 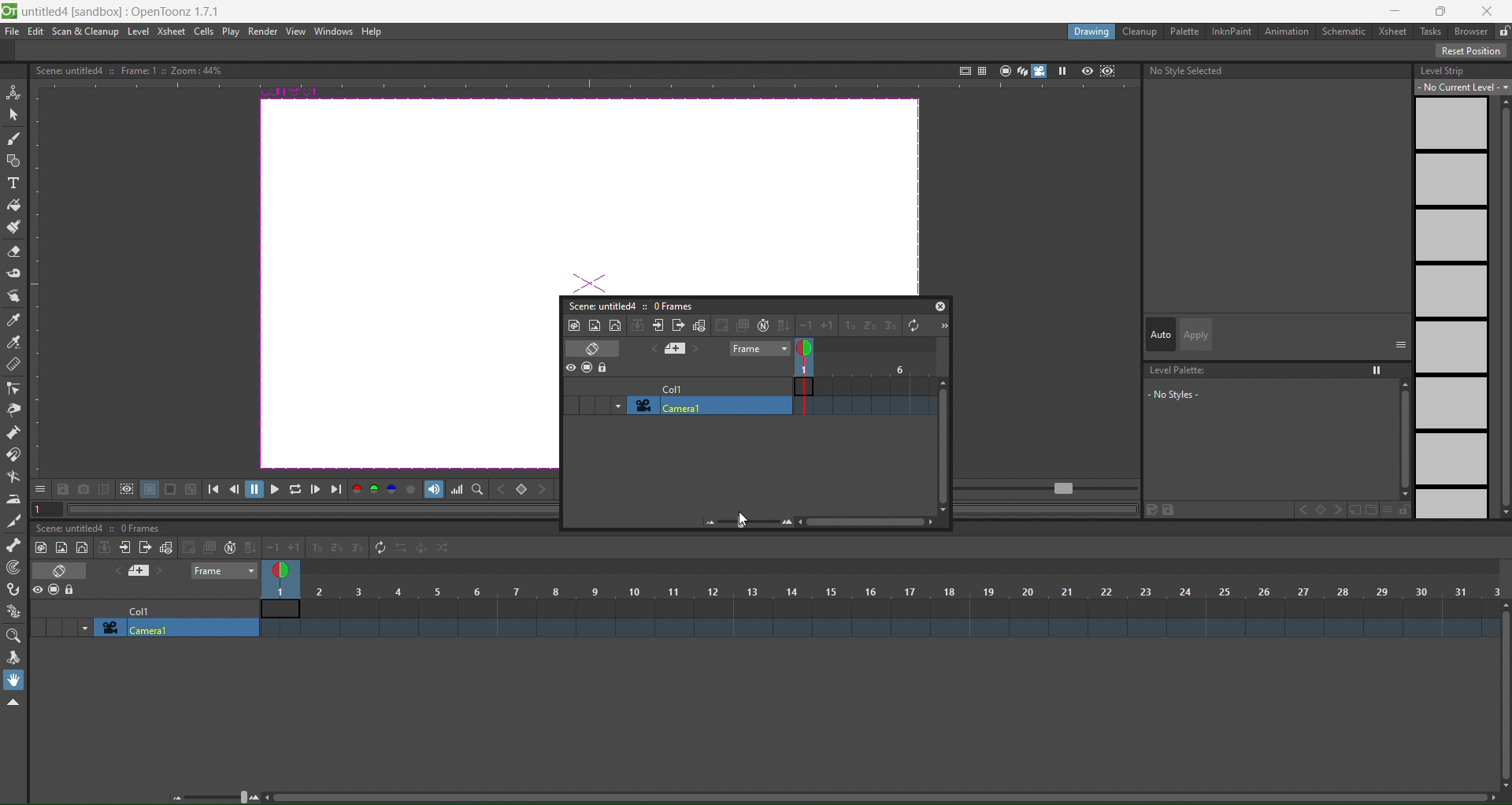 I want to click on increase step, so click(x=847, y=327).